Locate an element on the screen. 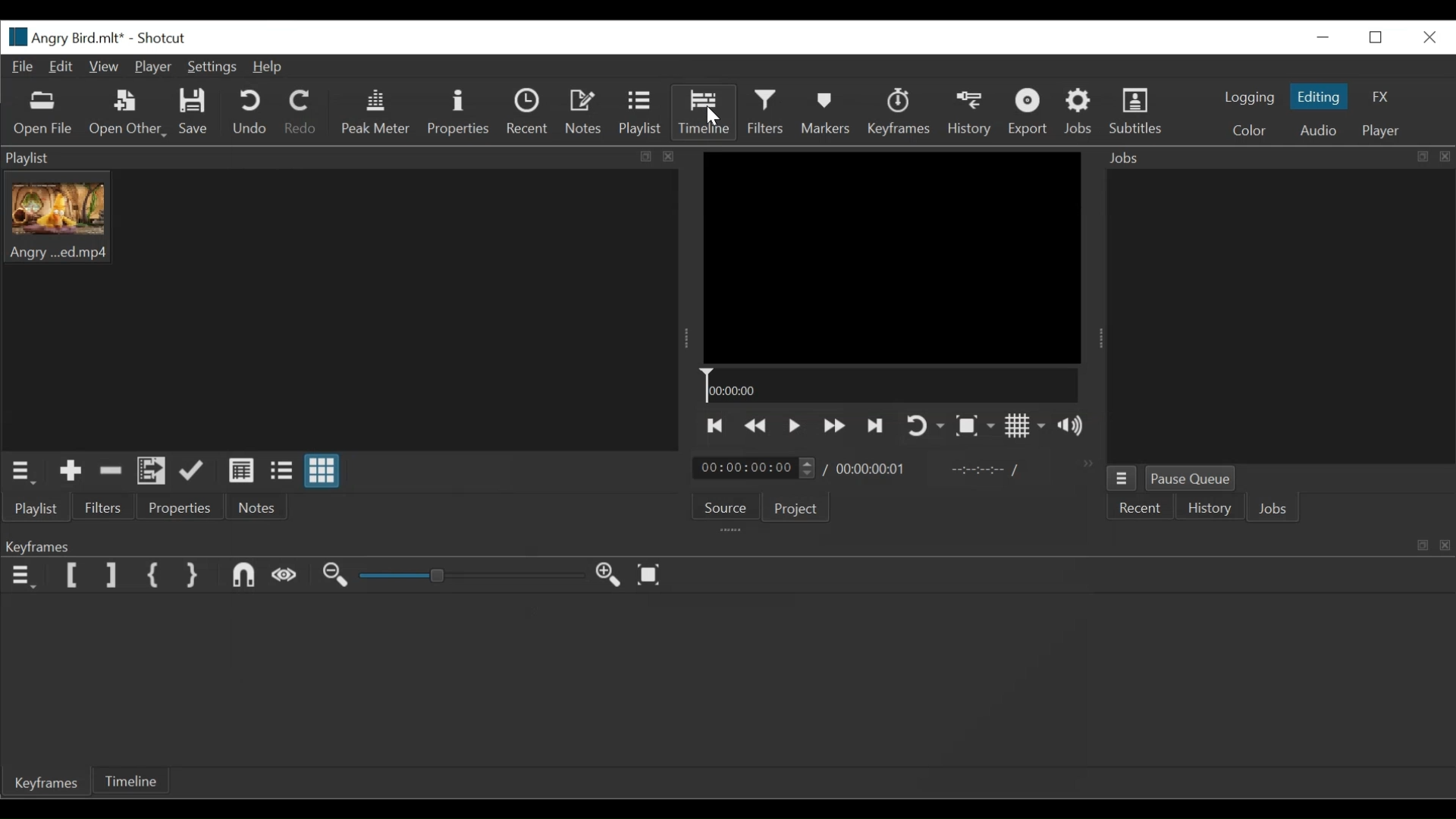 The image size is (1456, 819). Toggle display grid on player is located at coordinates (1028, 428).